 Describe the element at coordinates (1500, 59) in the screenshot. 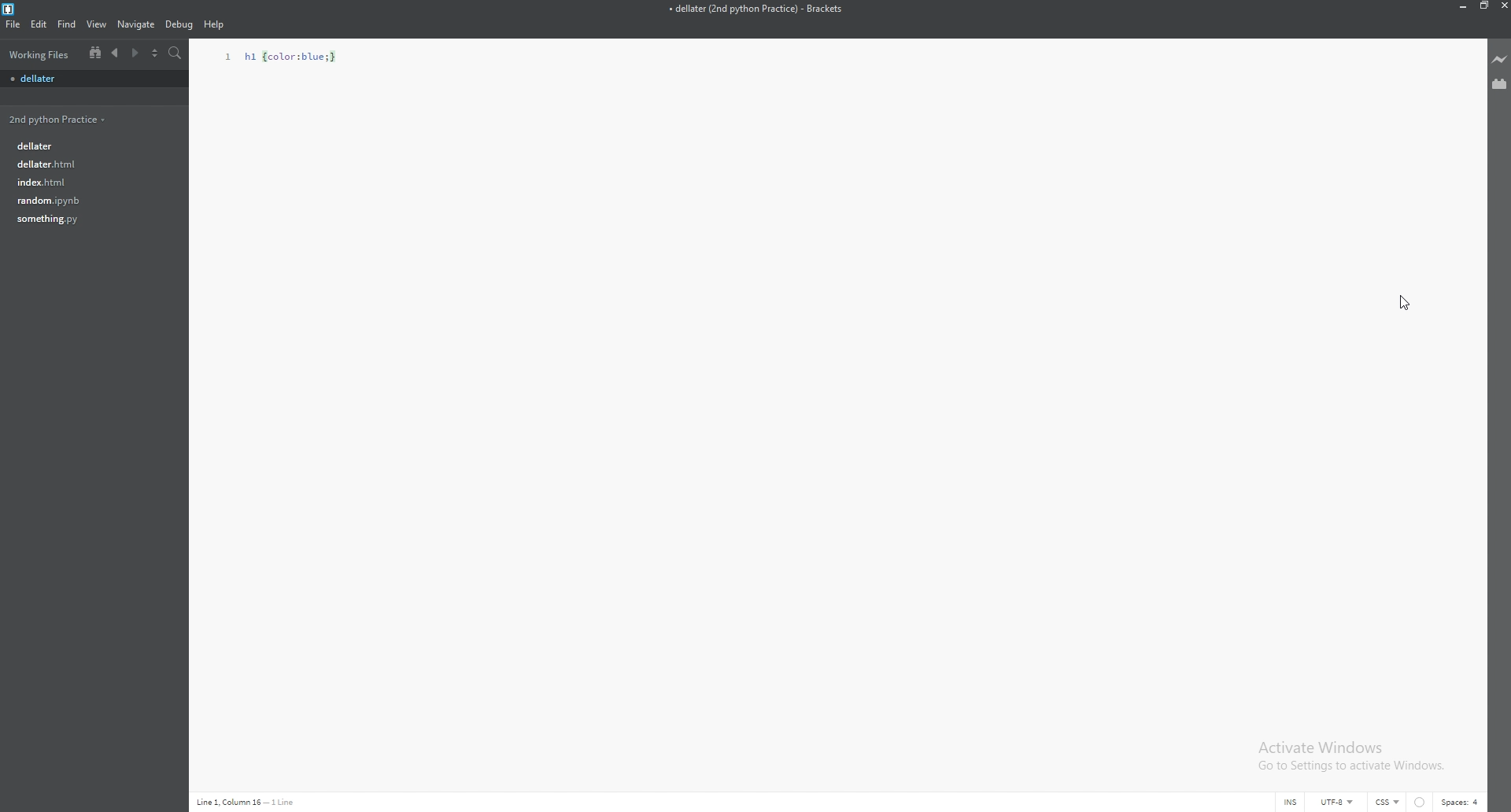

I see `live preview` at that location.